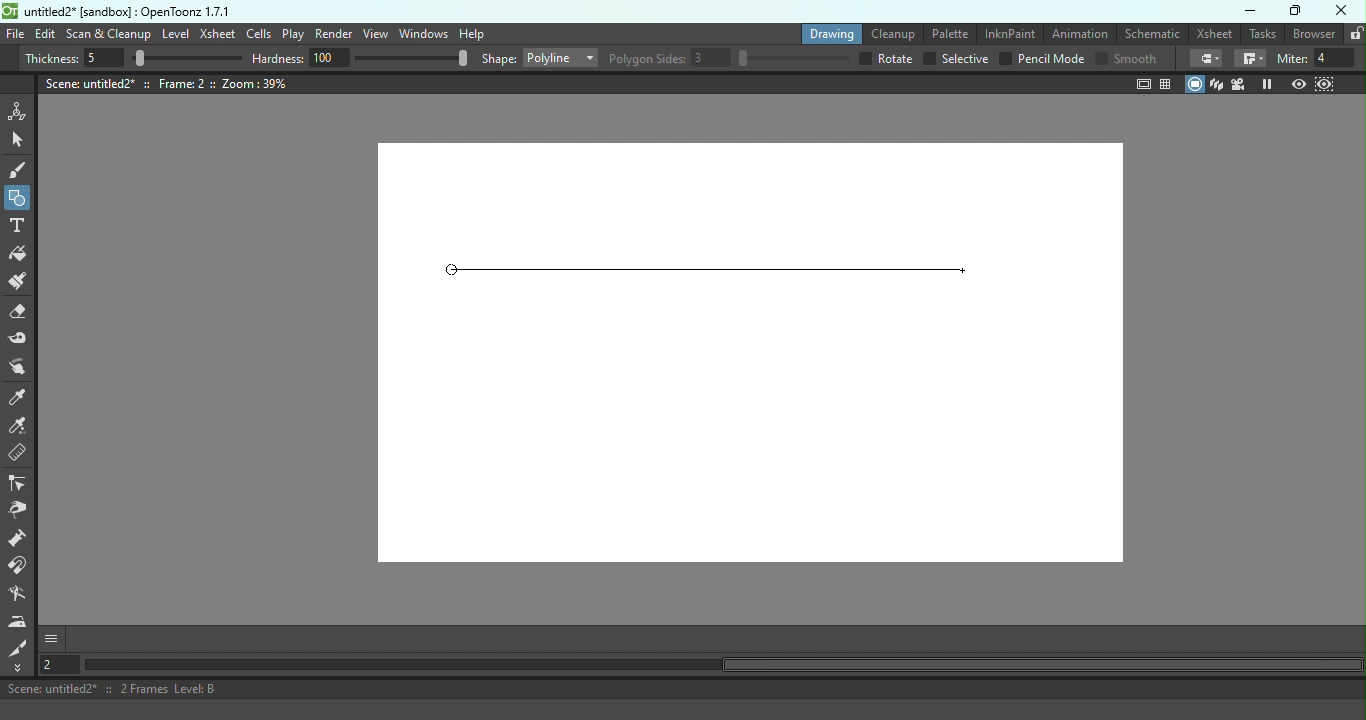 The width and height of the screenshot is (1366, 720). Describe the element at coordinates (1323, 83) in the screenshot. I see `Sub-camera preview` at that location.